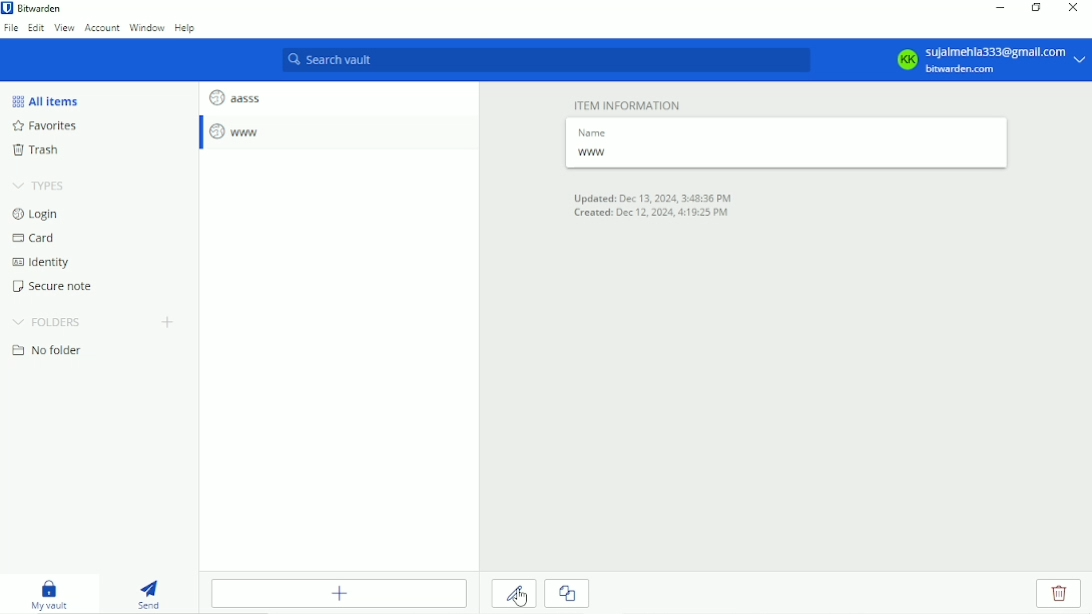  What do you see at coordinates (57, 286) in the screenshot?
I see `Secure note` at bounding box center [57, 286].